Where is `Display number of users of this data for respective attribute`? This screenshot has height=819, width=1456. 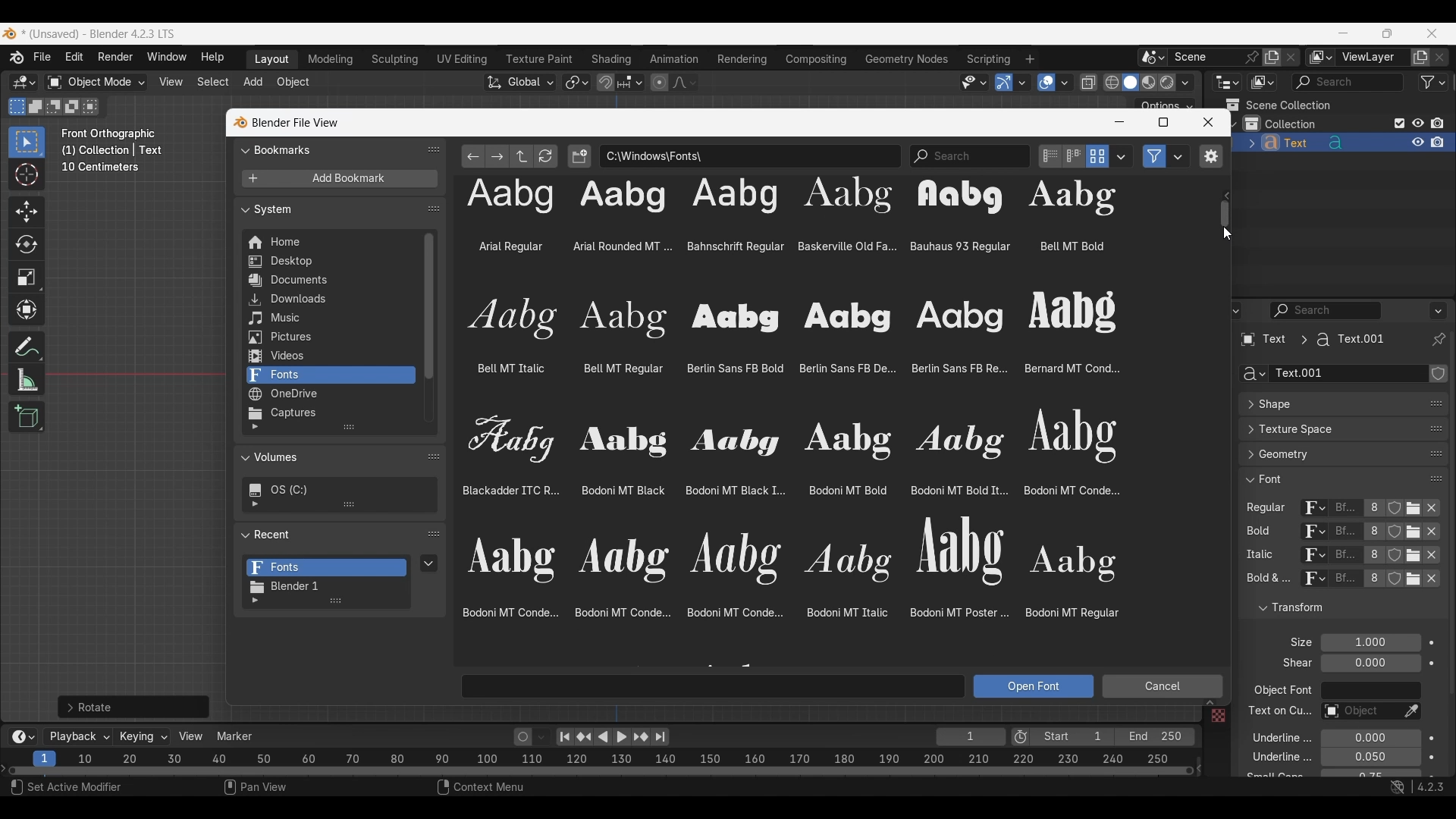
Display number of users of this data for respective attribute is located at coordinates (1373, 509).